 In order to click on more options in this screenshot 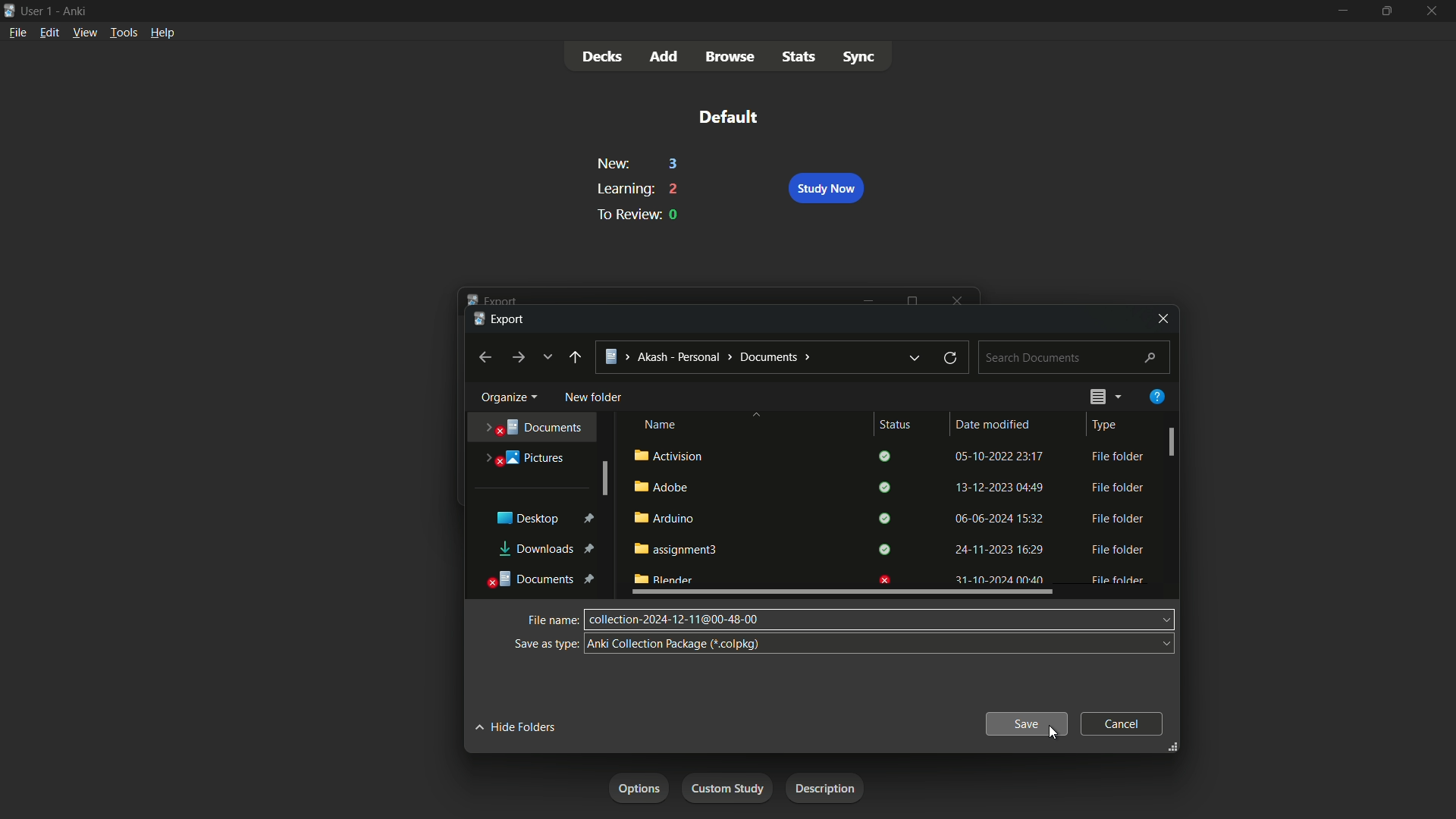, I will do `click(1118, 397)`.